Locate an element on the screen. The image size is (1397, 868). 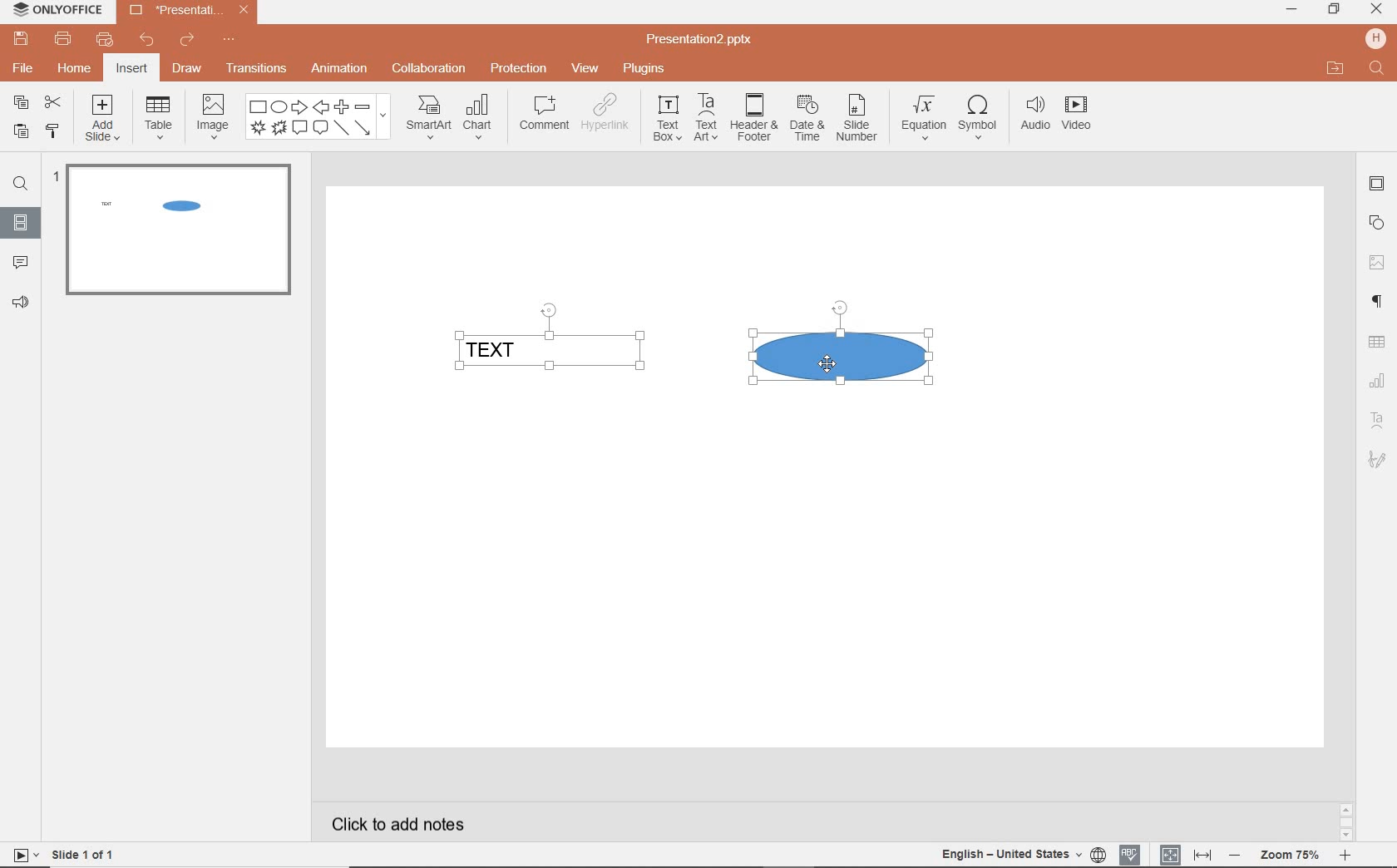
SLIDE 1 OF 1 is located at coordinates (65, 854).